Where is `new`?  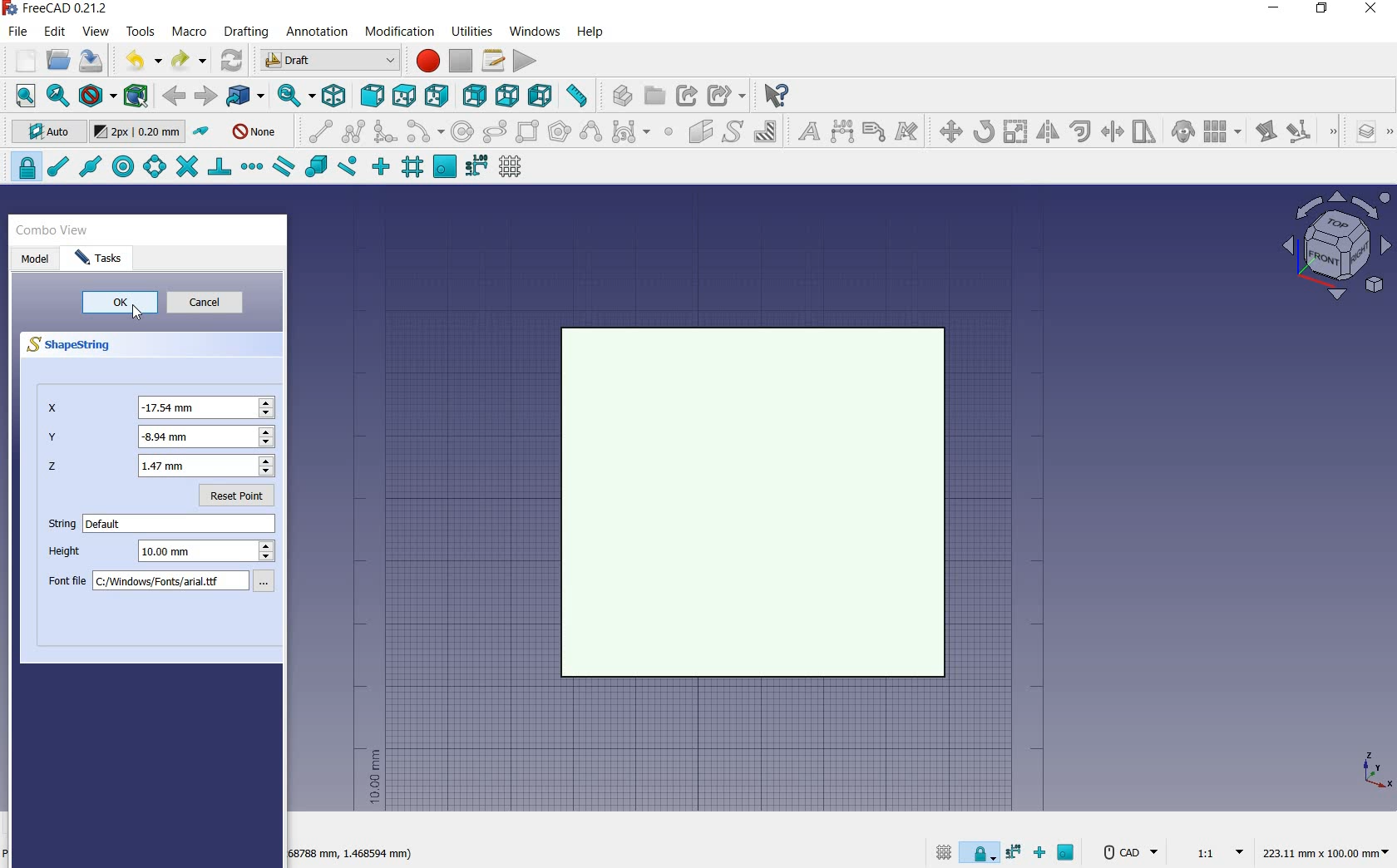 new is located at coordinates (19, 62).